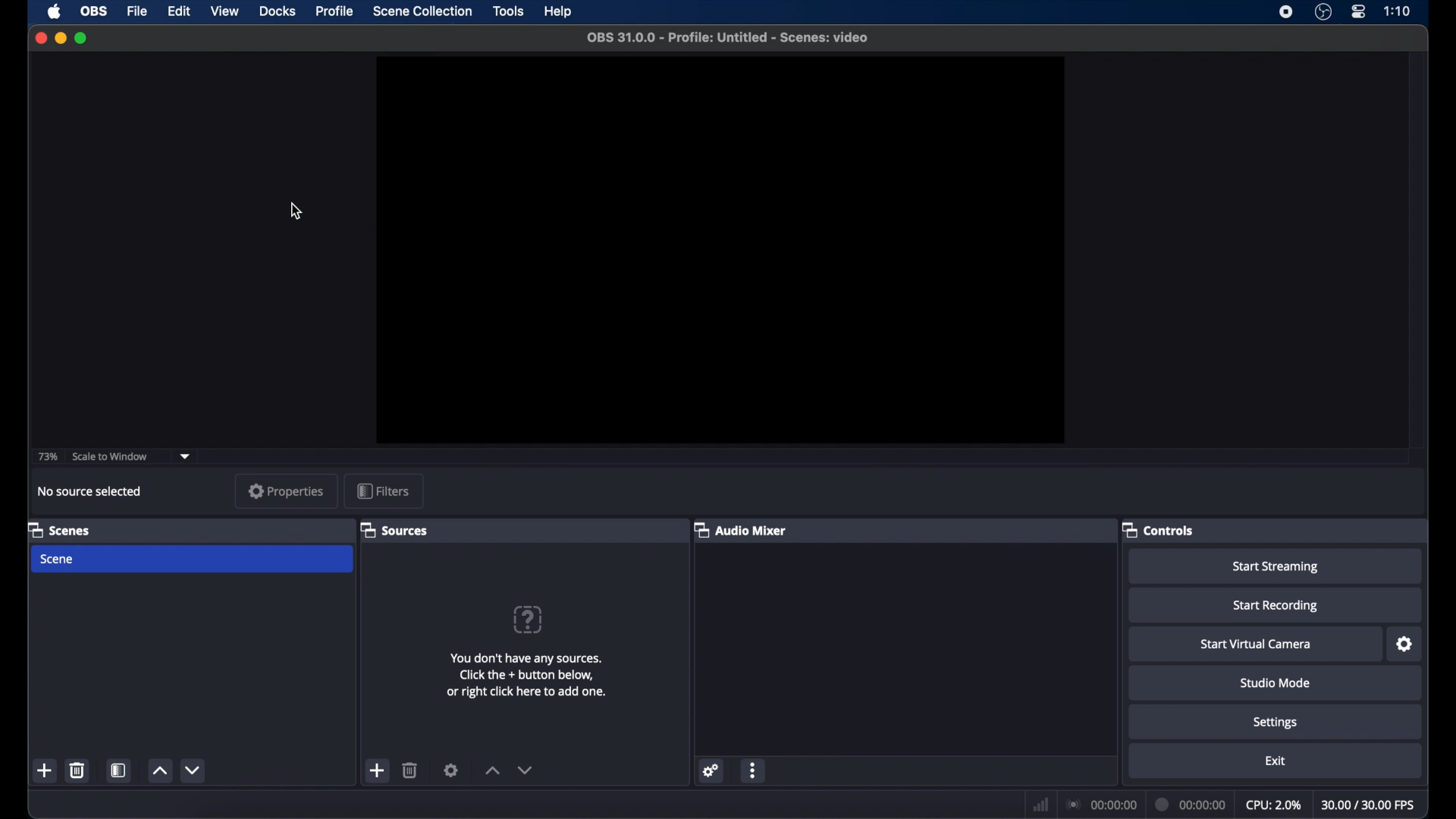  I want to click on more options, so click(752, 770).